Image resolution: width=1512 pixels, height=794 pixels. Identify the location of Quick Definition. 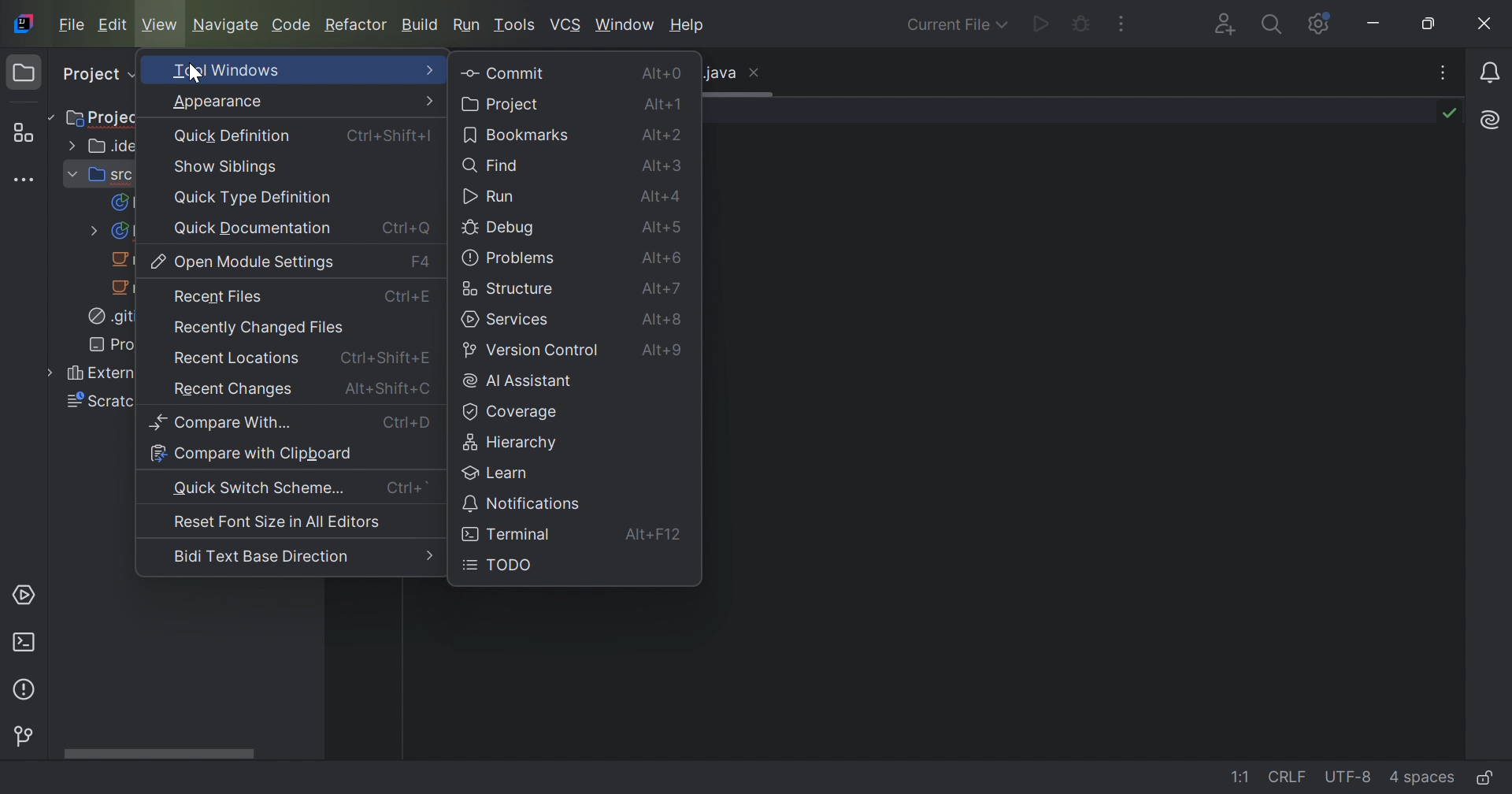
(232, 135).